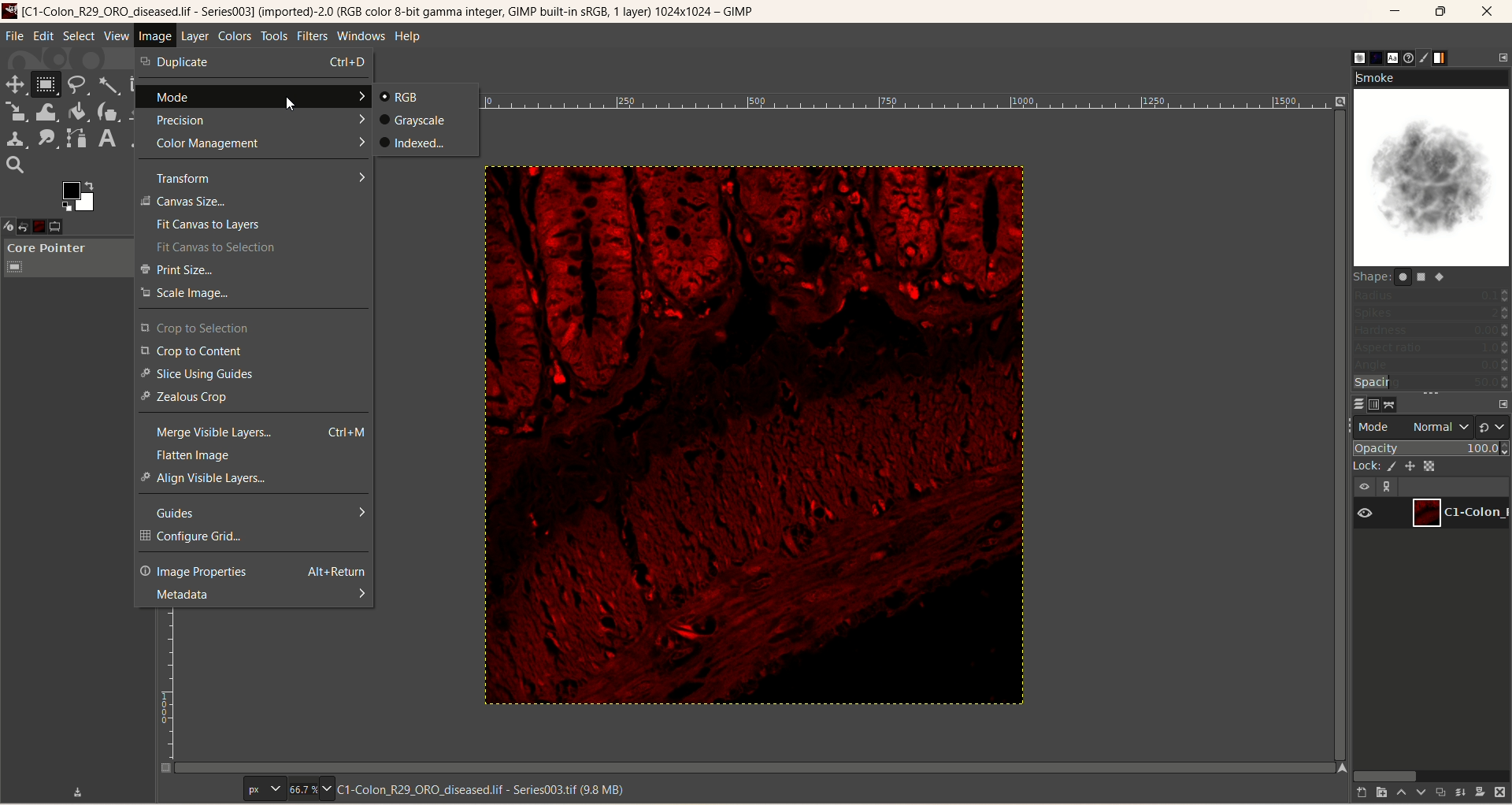 The image size is (1512, 805). I want to click on align visible layers, so click(254, 479).